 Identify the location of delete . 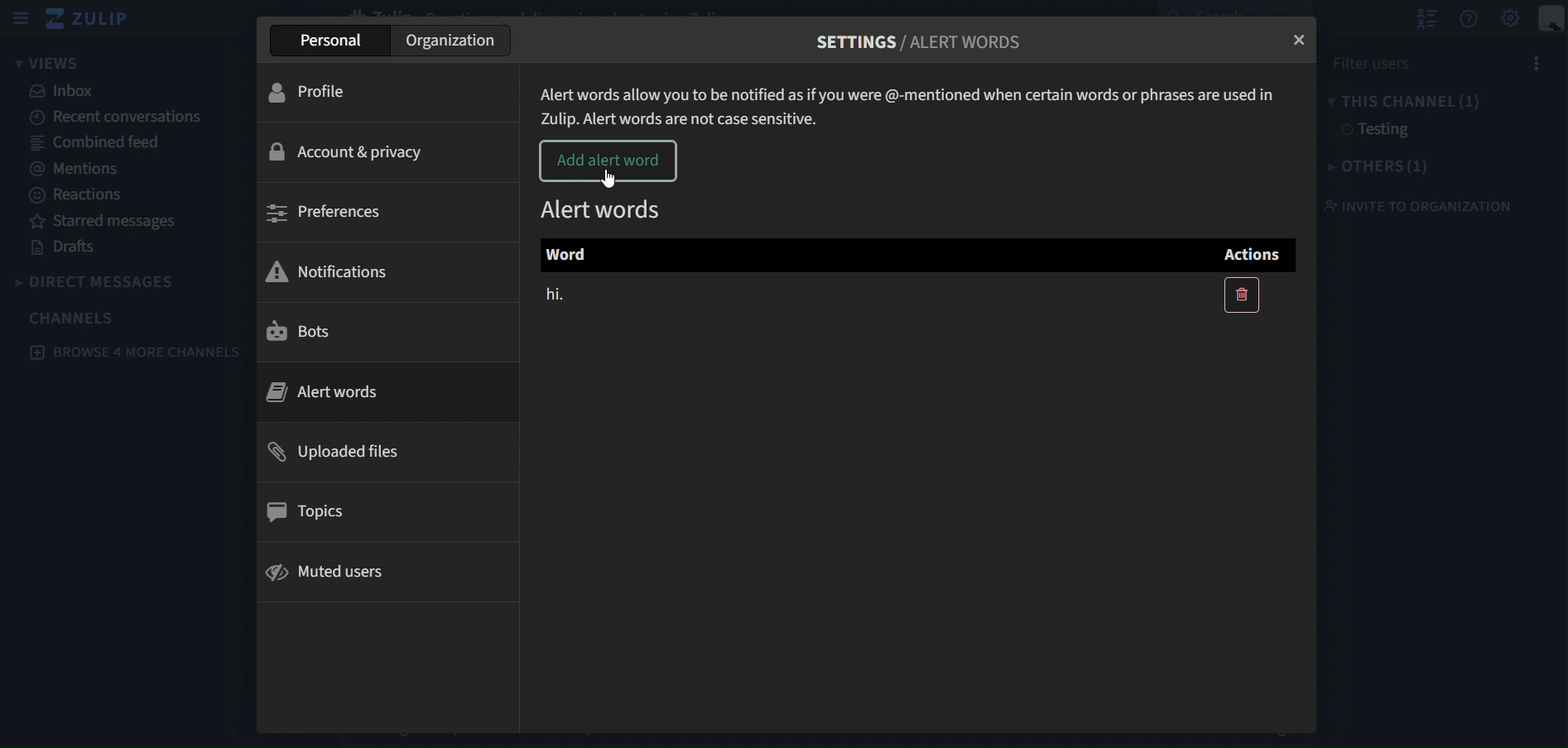
(1243, 295).